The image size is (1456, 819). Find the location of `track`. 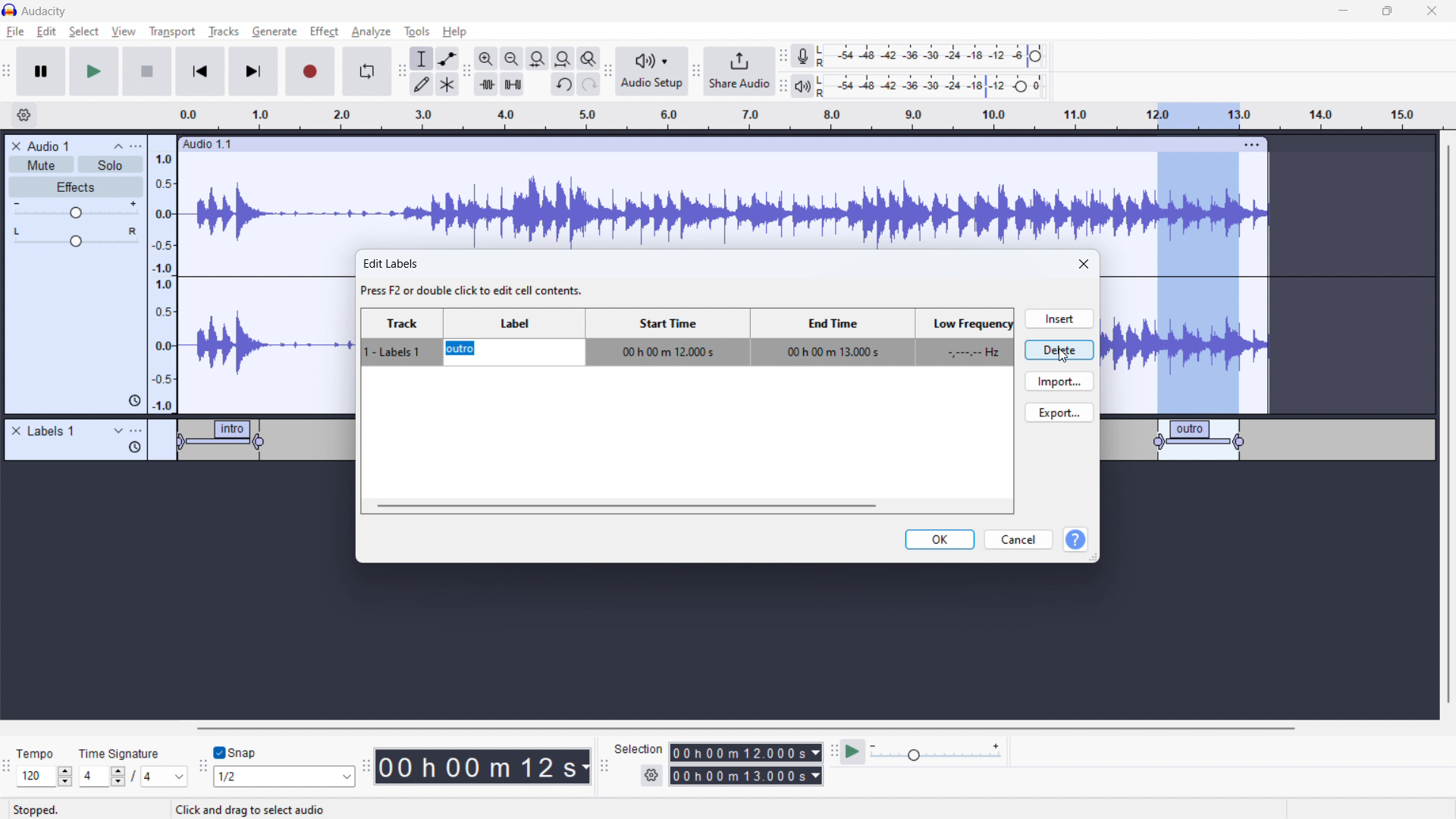

track is located at coordinates (403, 337).